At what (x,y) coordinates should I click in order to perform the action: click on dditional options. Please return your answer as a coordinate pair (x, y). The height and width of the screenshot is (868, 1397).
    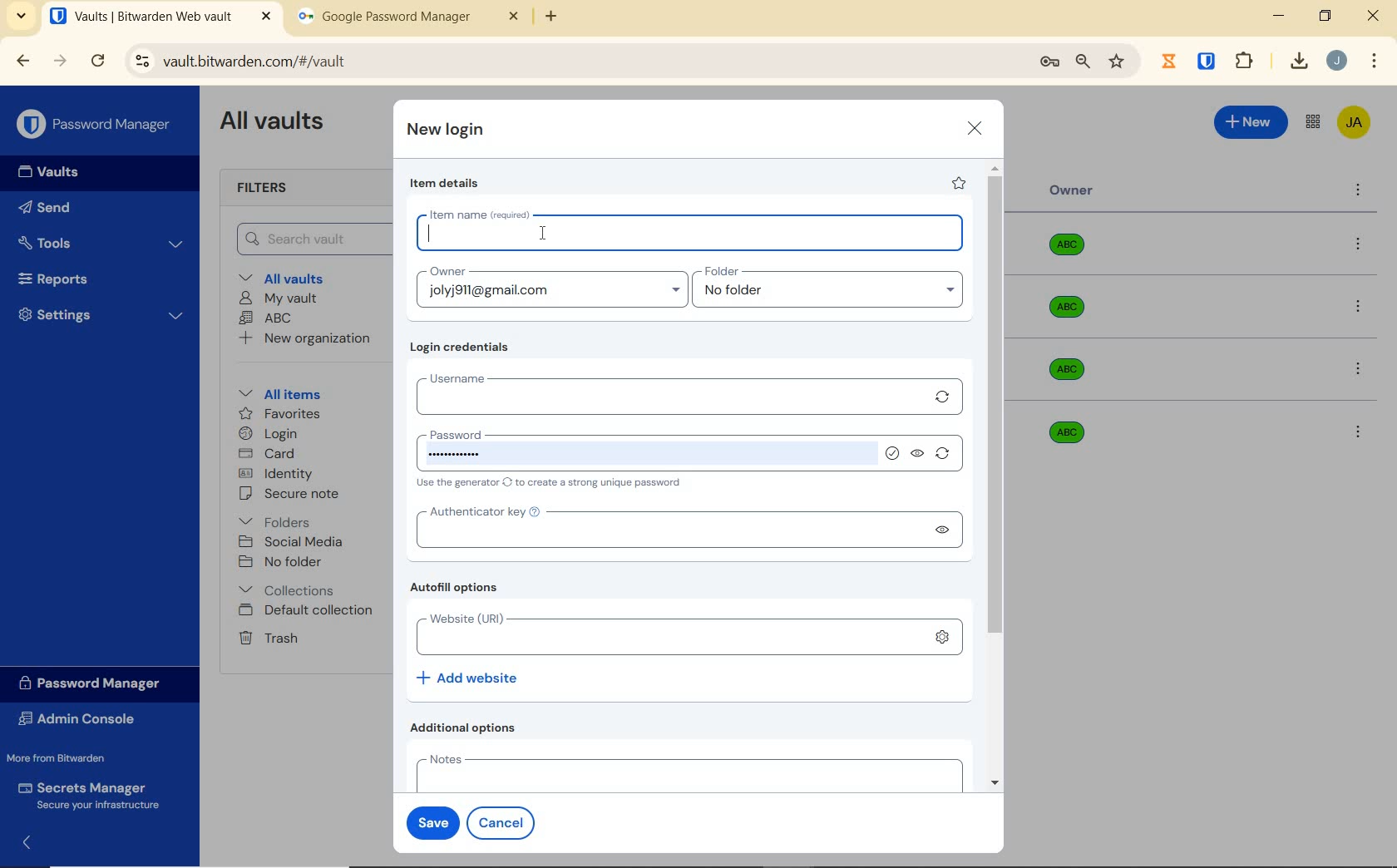
    Looking at the image, I should click on (467, 727).